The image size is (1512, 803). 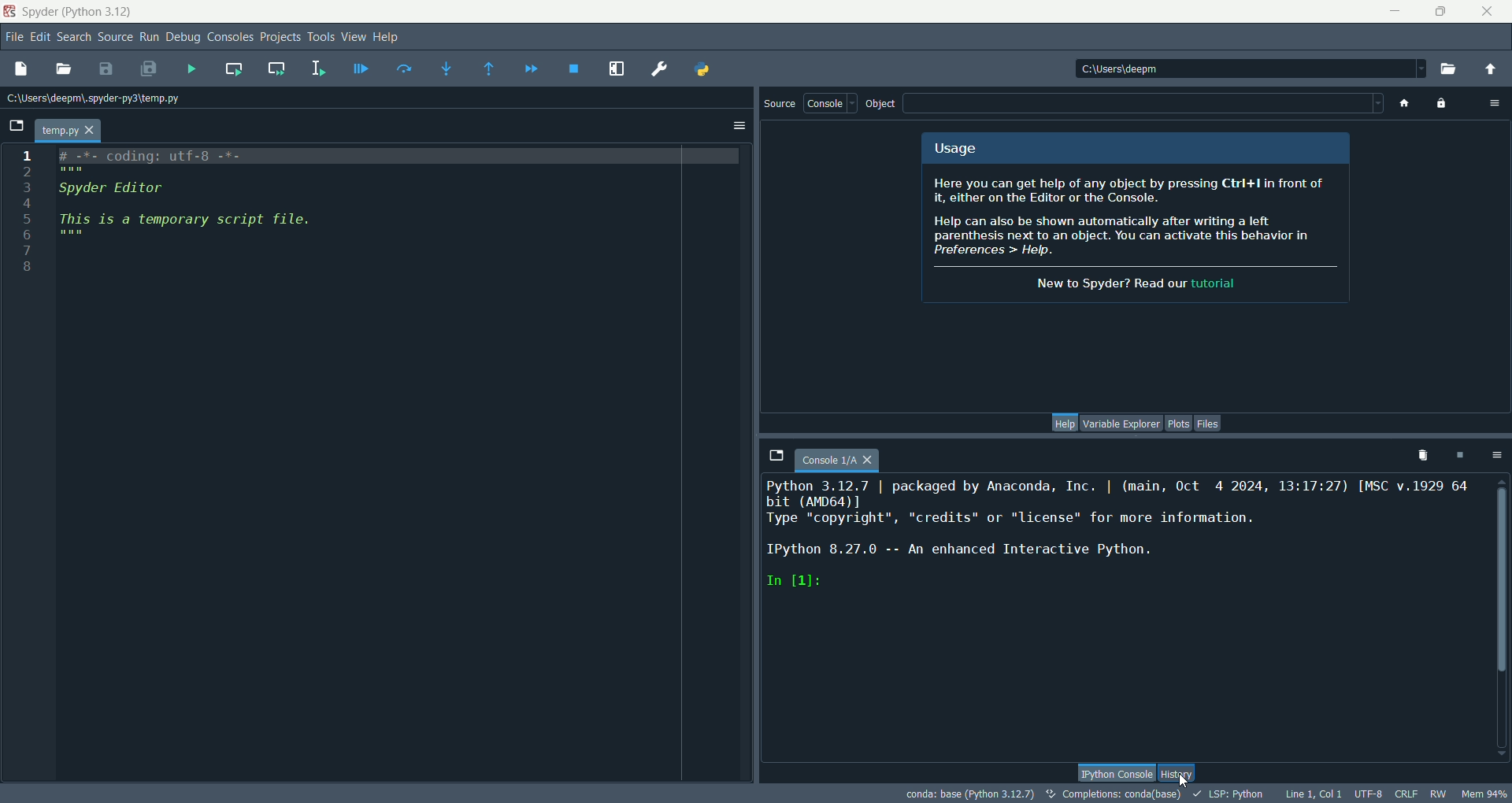 What do you see at coordinates (69, 131) in the screenshot?
I see `temp.py` at bounding box center [69, 131].